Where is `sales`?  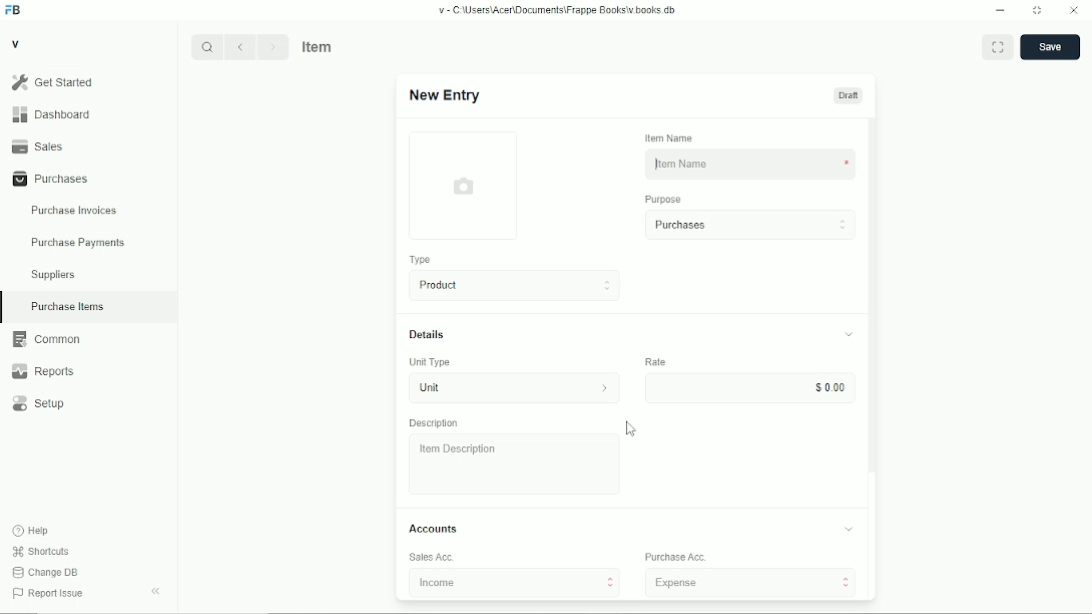 sales is located at coordinates (38, 146).